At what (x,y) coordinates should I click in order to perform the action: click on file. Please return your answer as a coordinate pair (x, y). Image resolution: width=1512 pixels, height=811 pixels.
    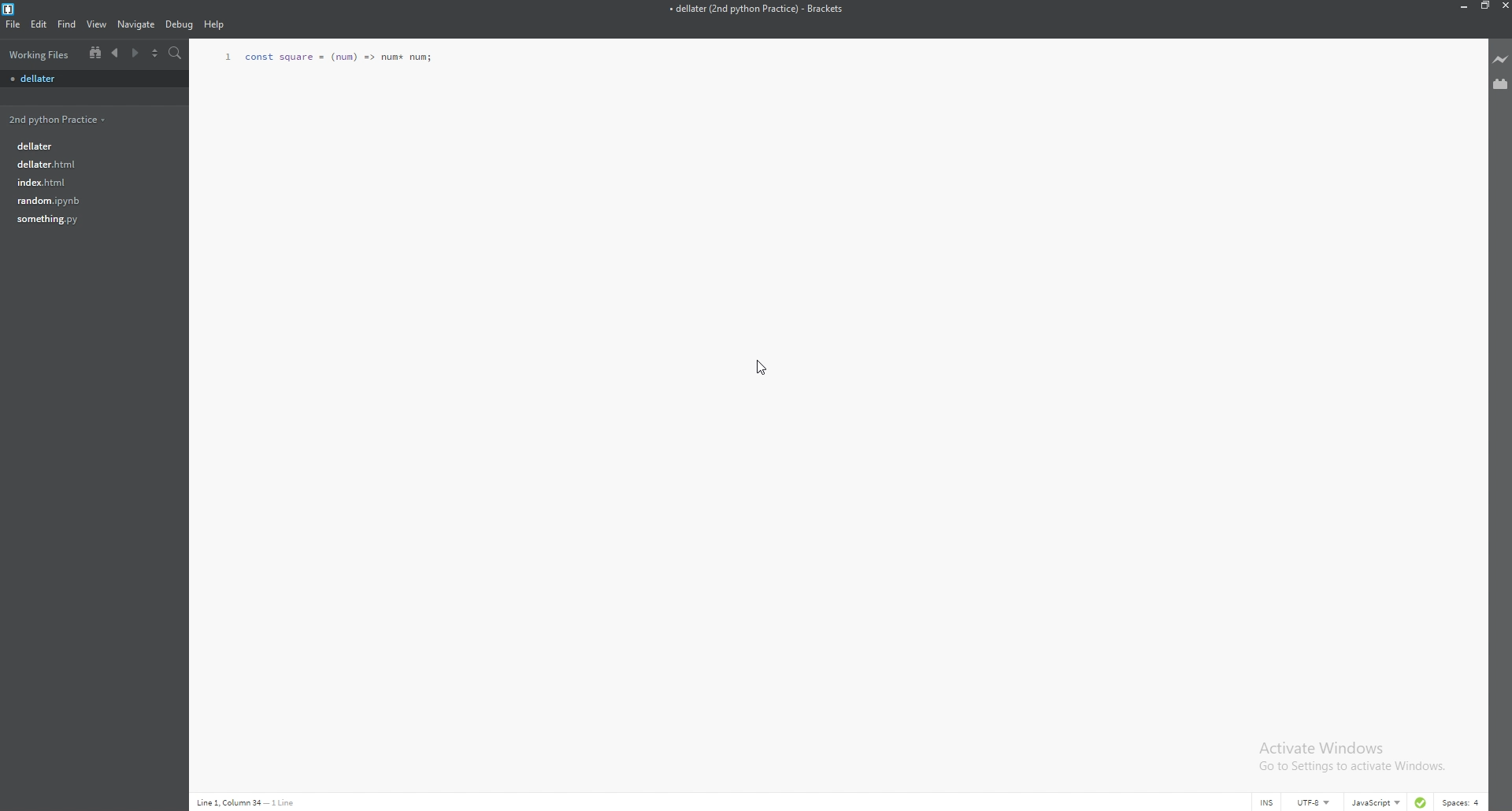
    Looking at the image, I should click on (88, 219).